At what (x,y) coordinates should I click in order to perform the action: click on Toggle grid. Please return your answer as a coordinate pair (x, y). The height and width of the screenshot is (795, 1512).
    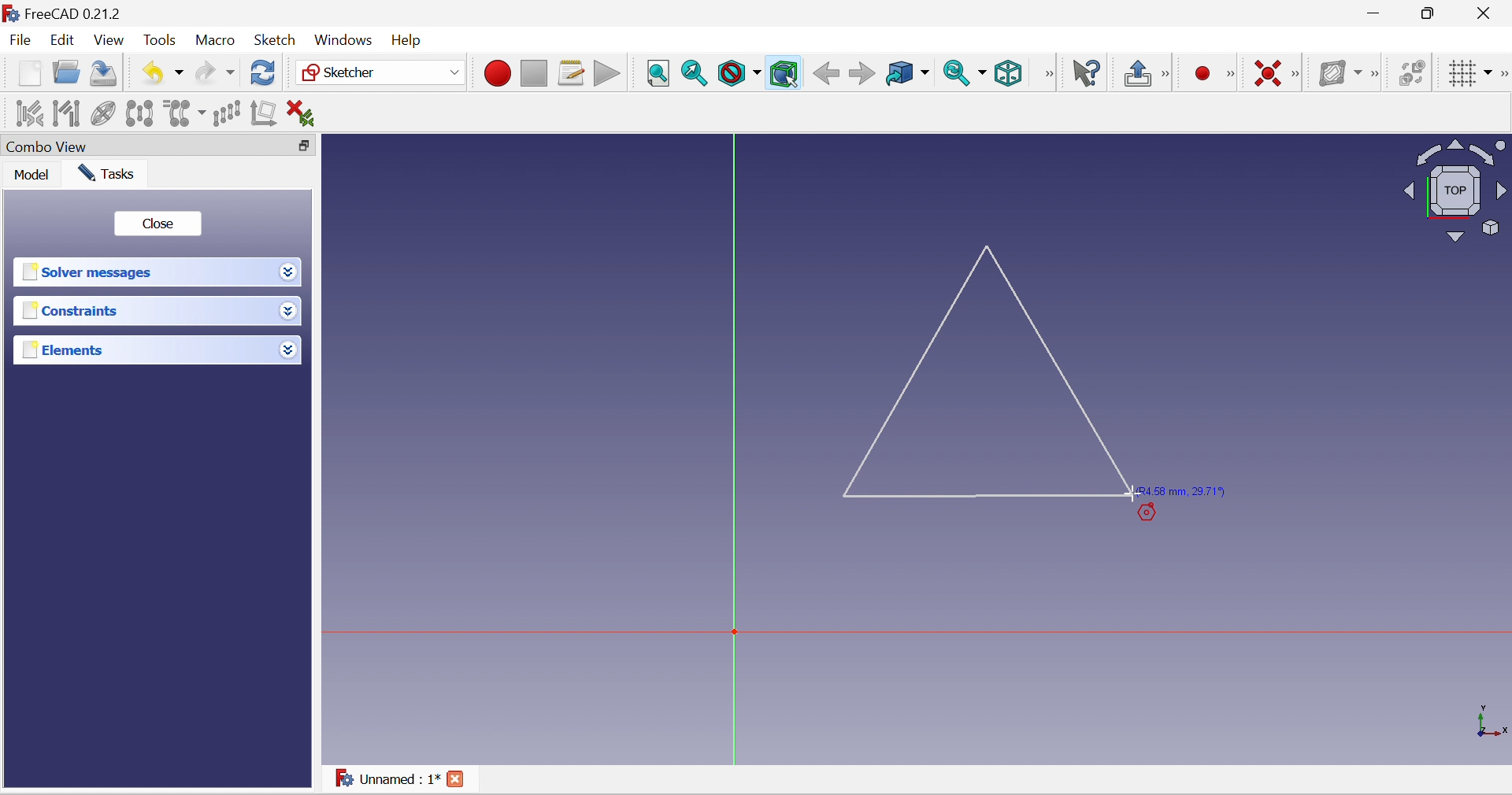
    Looking at the image, I should click on (1470, 73).